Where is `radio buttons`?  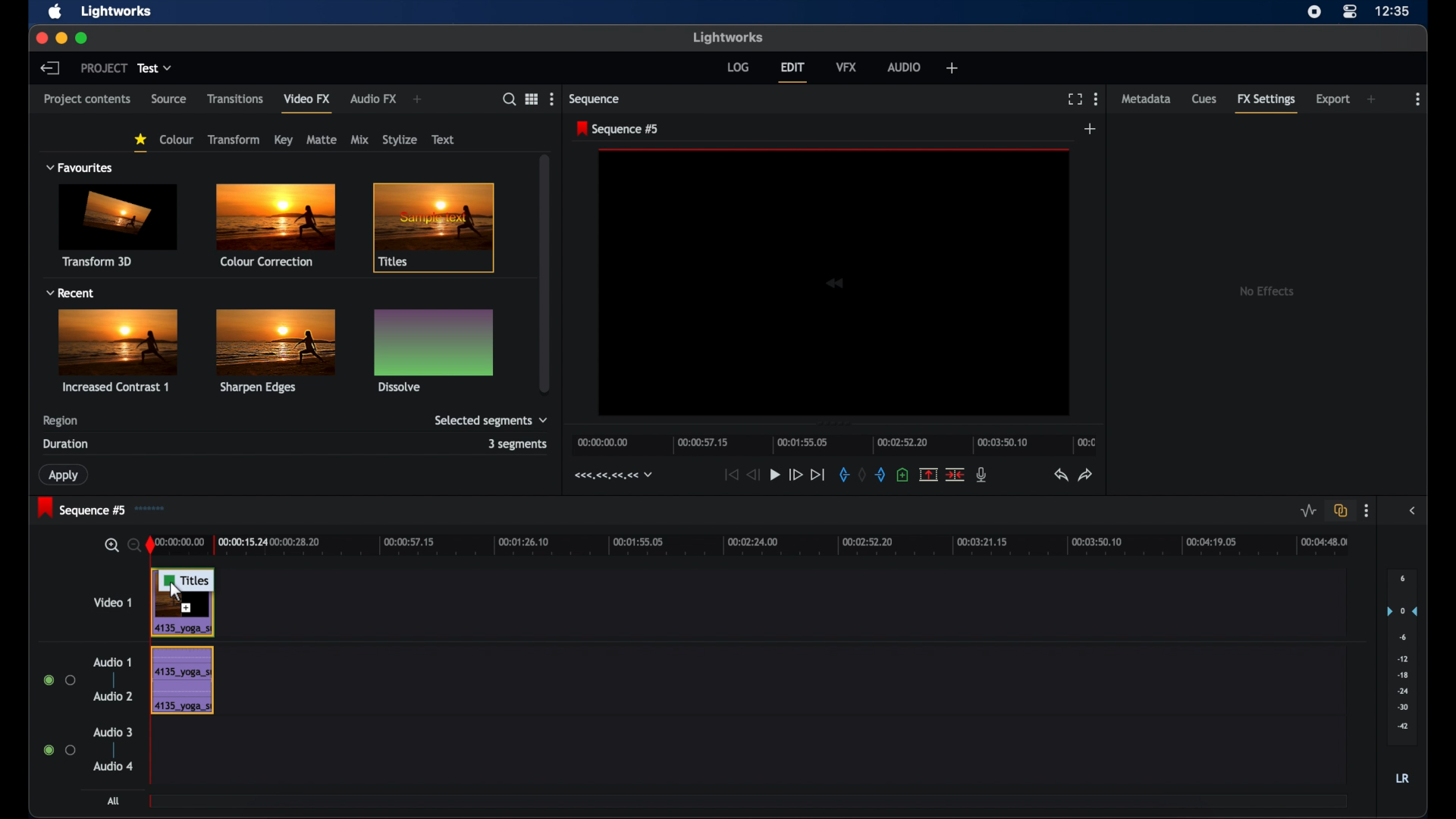
radio buttons is located at coordinates (60, 680).